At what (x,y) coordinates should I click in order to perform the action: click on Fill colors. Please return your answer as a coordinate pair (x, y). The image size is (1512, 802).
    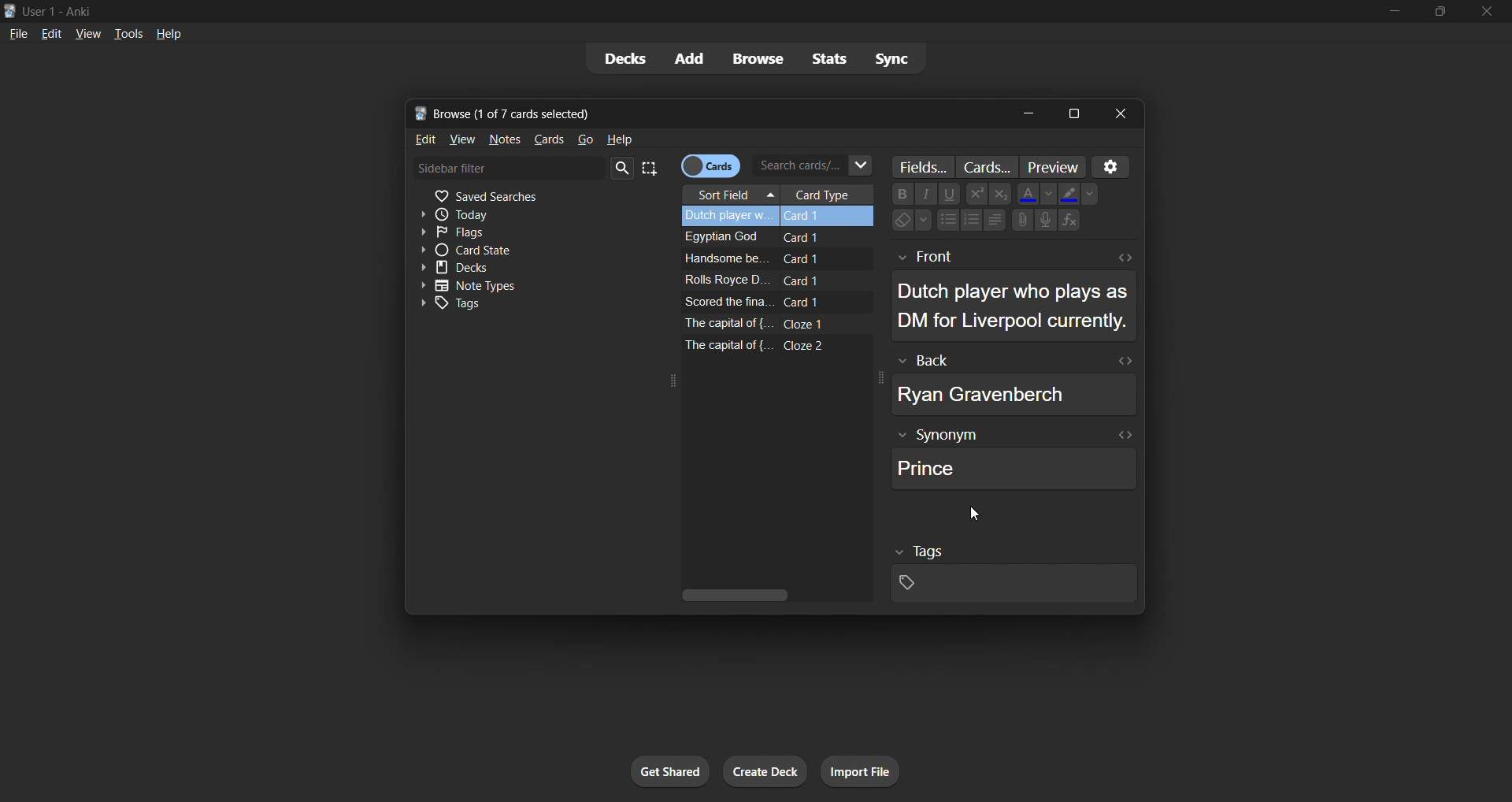
    Looking at the image, I should click on (1069, 192).